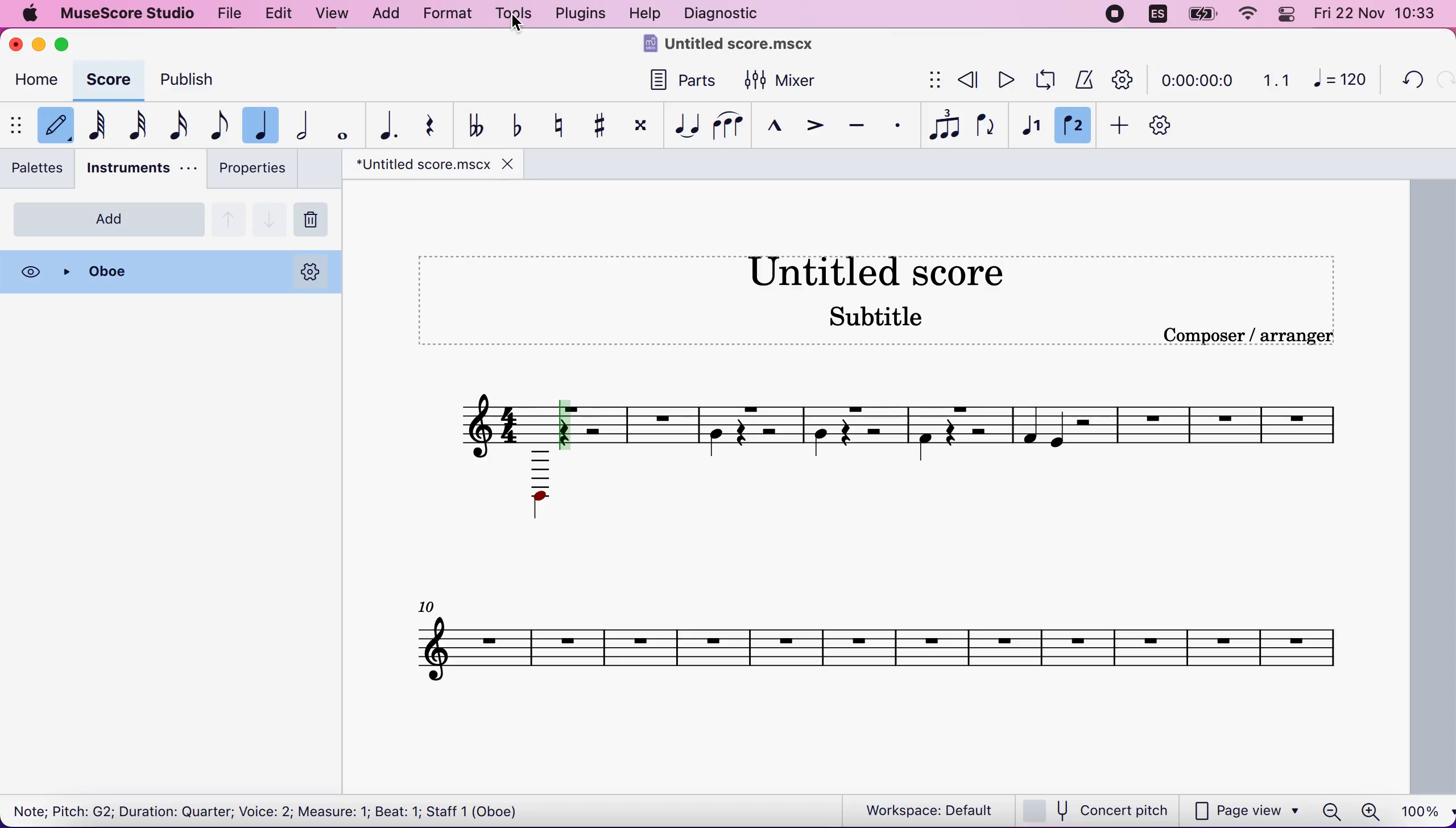  I want to click on tools, so click(514, 15).